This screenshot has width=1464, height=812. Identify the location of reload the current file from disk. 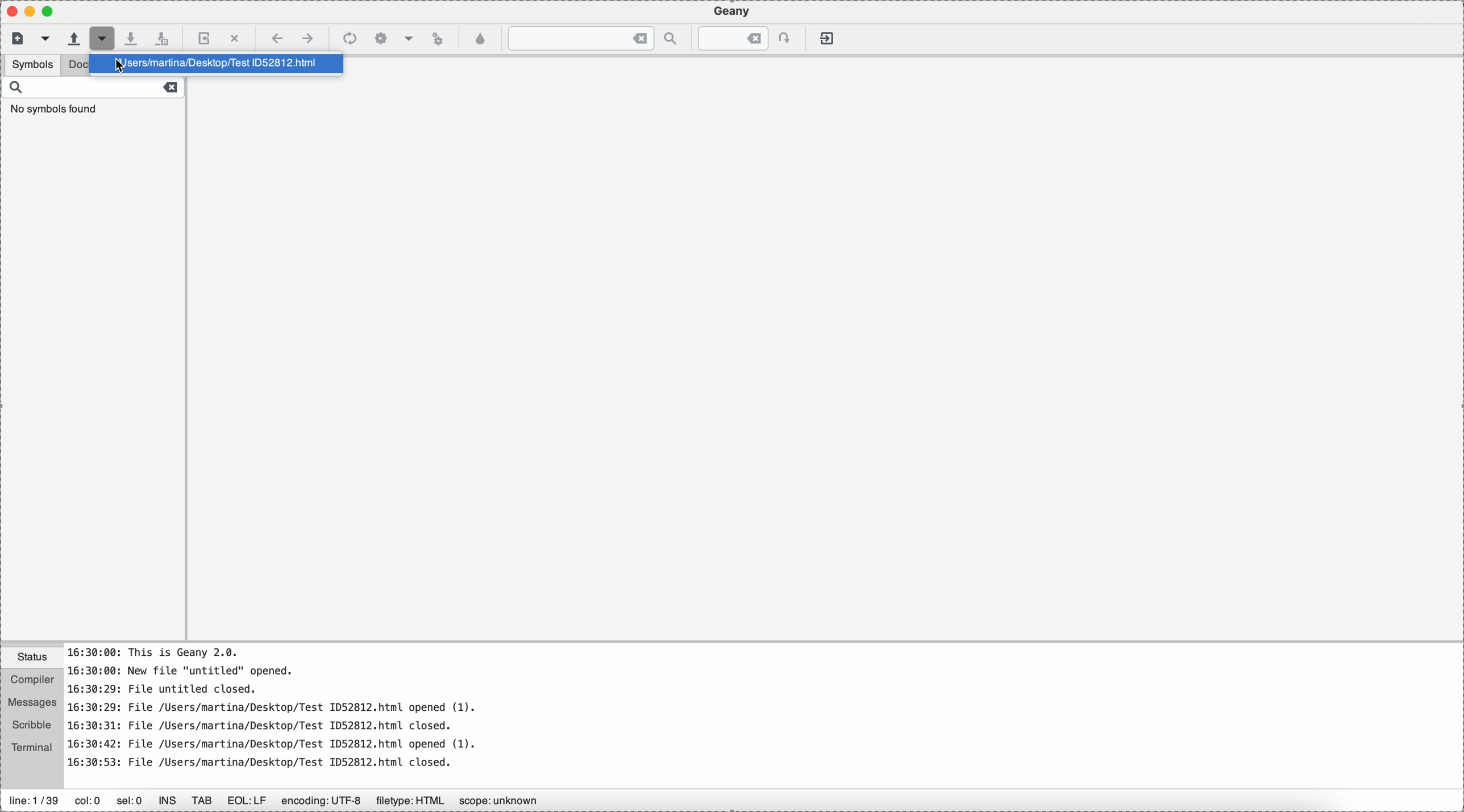
(204, 37).